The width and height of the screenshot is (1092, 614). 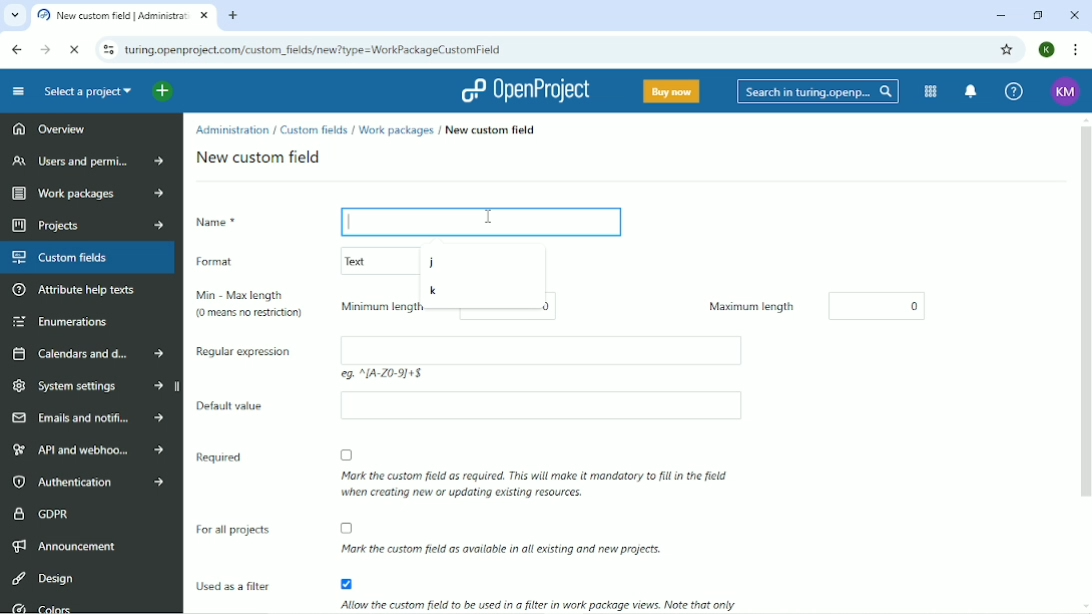 What do you see at coordinates (881, 304) in the screenshot?
I see `0` at bounding box center [881, 304].